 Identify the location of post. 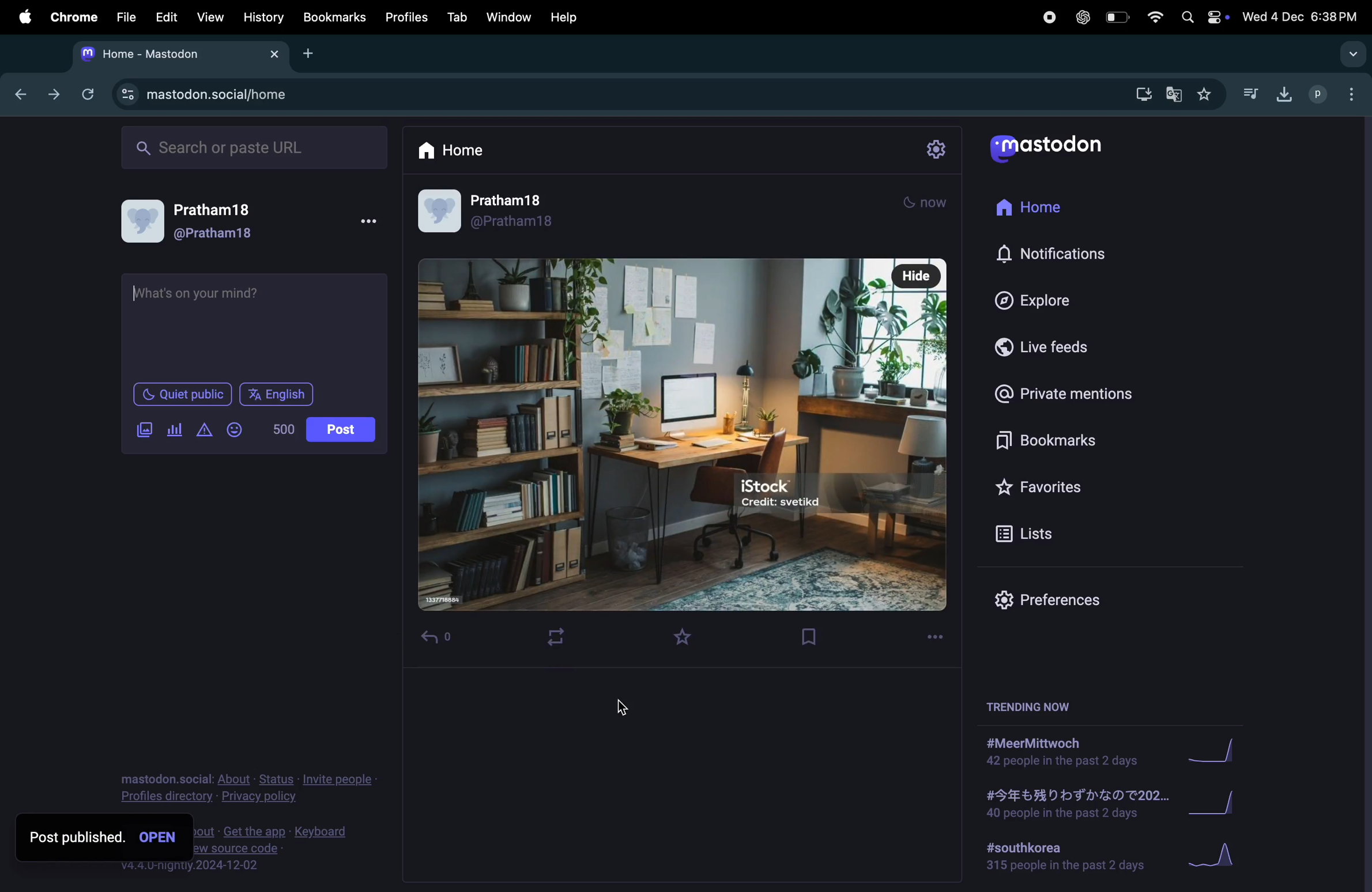
(341, 429).